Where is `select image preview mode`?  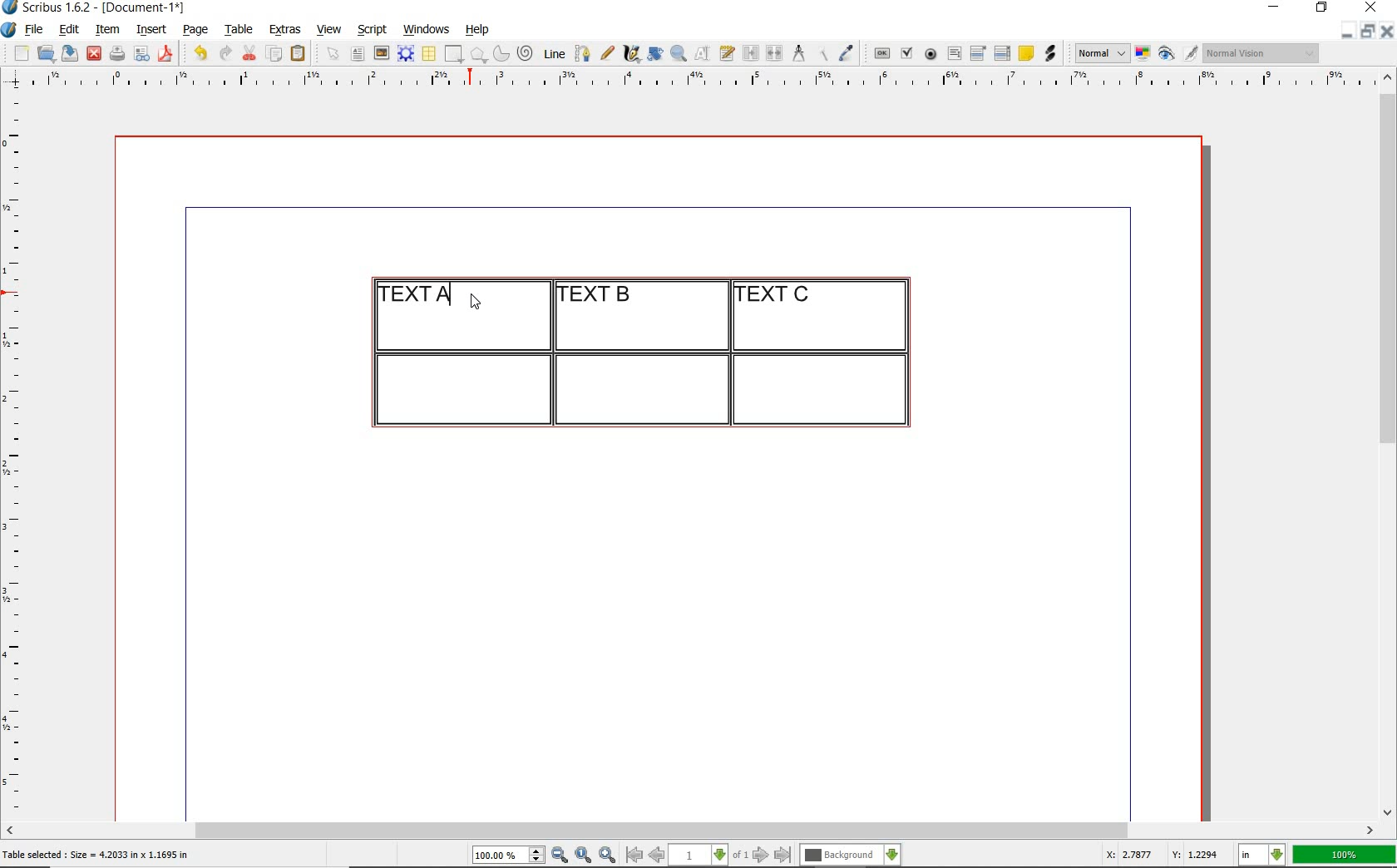 select image preview mode is located at coordinates (1101, 54).